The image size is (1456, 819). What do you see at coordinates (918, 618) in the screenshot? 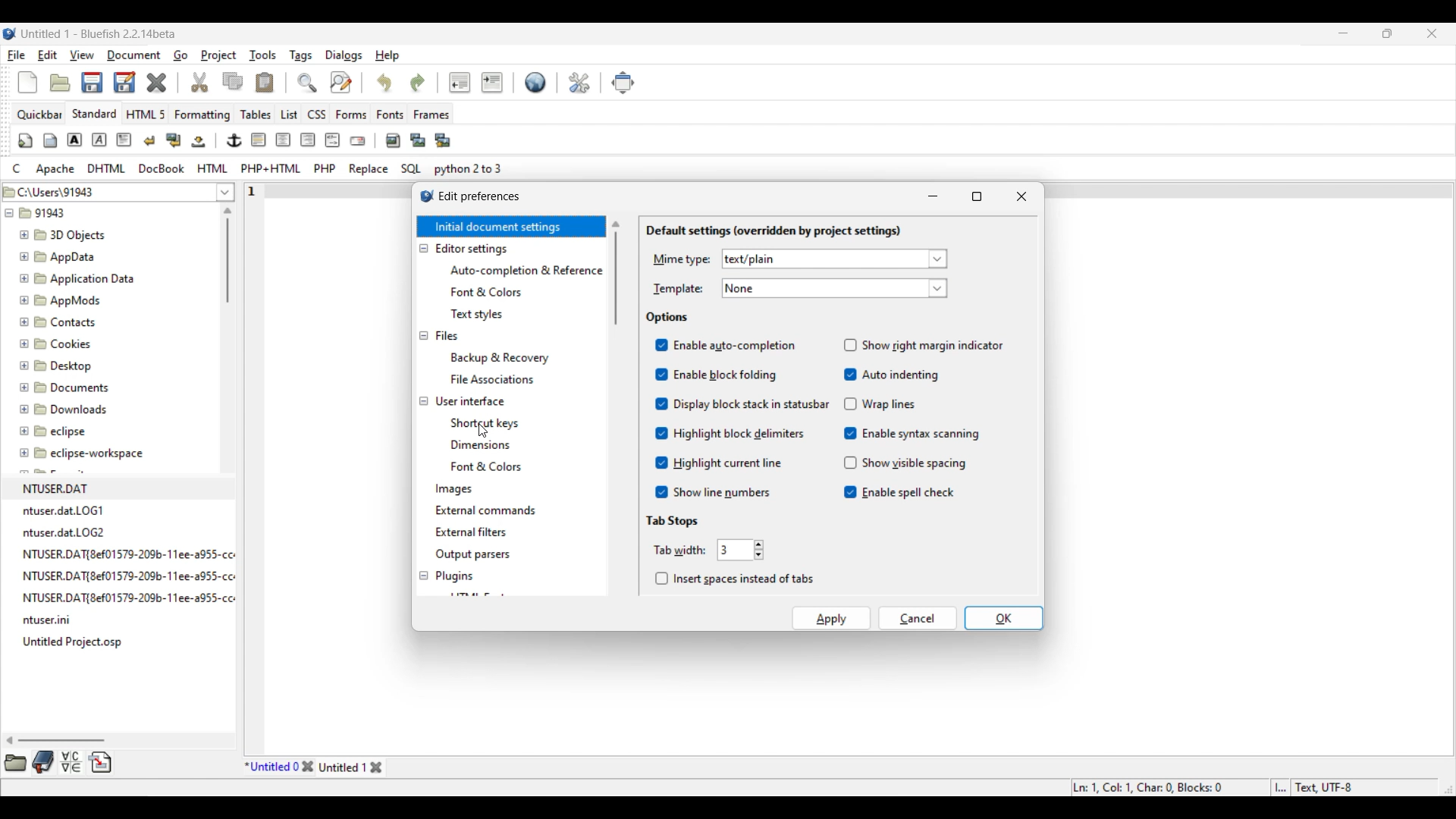
I see `Cancel` at bounding box center [918, 618].